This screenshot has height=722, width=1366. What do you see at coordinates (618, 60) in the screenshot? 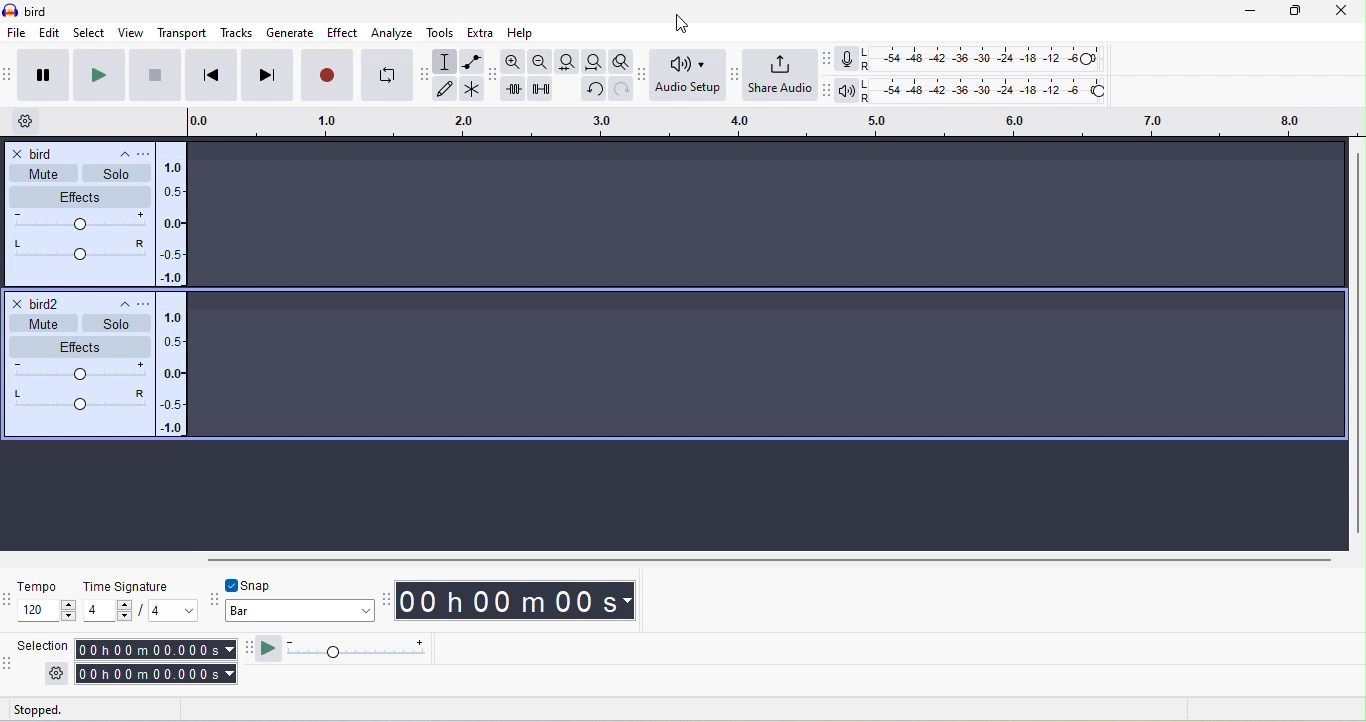
I see `zoom toggle` at bounding box center [618, 60].